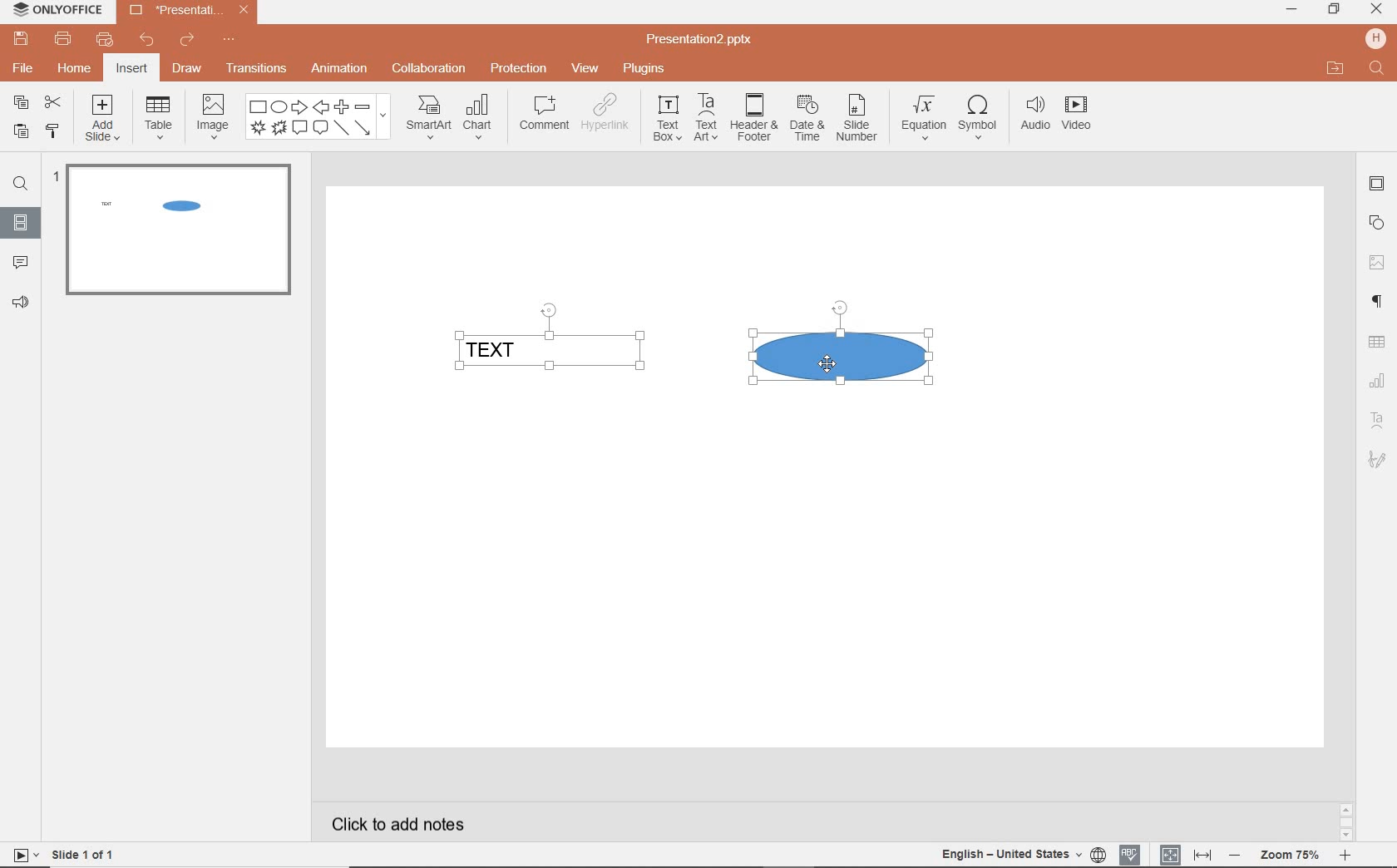  I want to click on HP, so click(1377, 38).